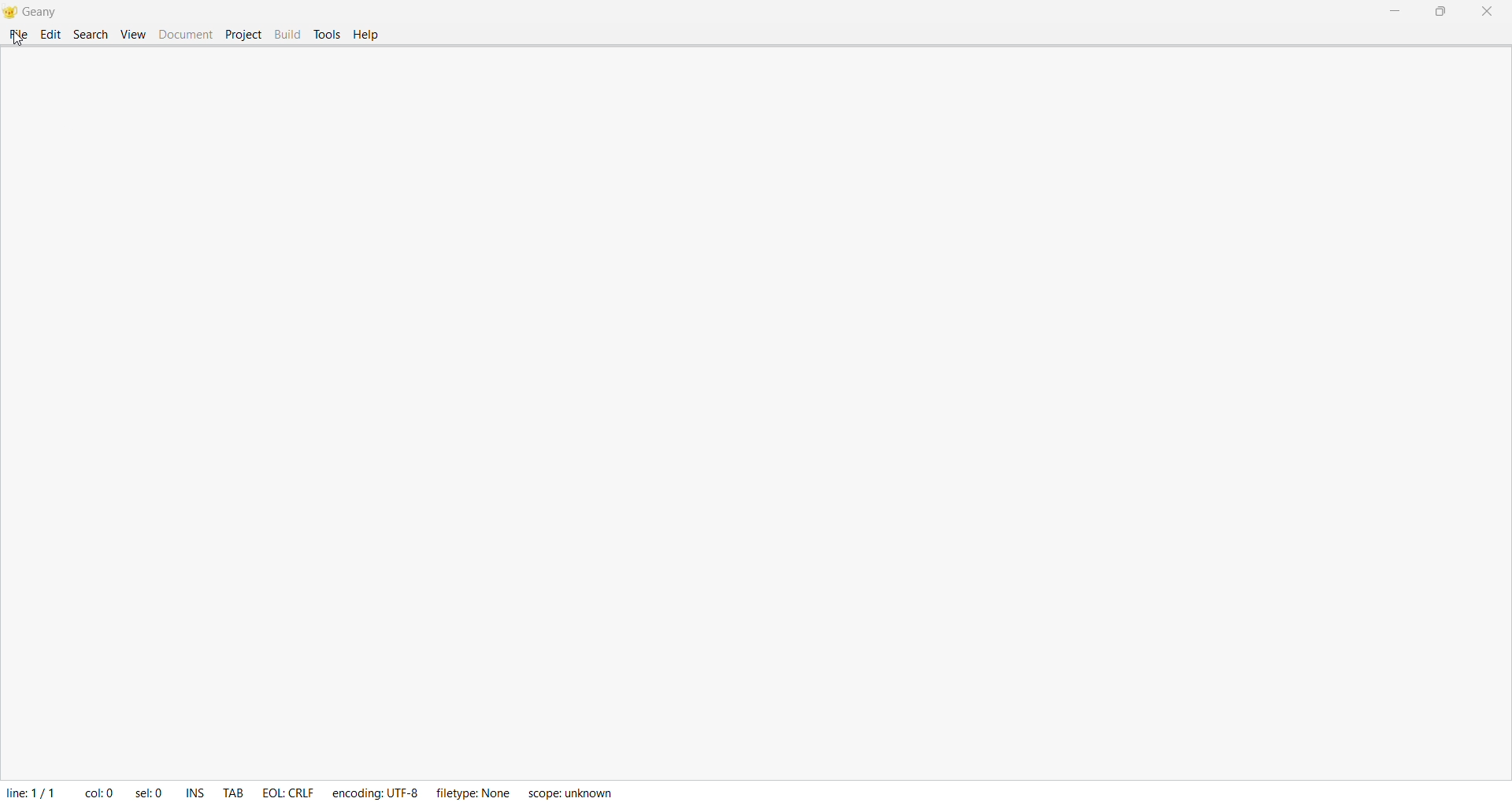 The width and height of the screenshot is (1512, 802). Describe the element at coordinates (1397, 13) in the screenshot. I see `Minimize` at that location.